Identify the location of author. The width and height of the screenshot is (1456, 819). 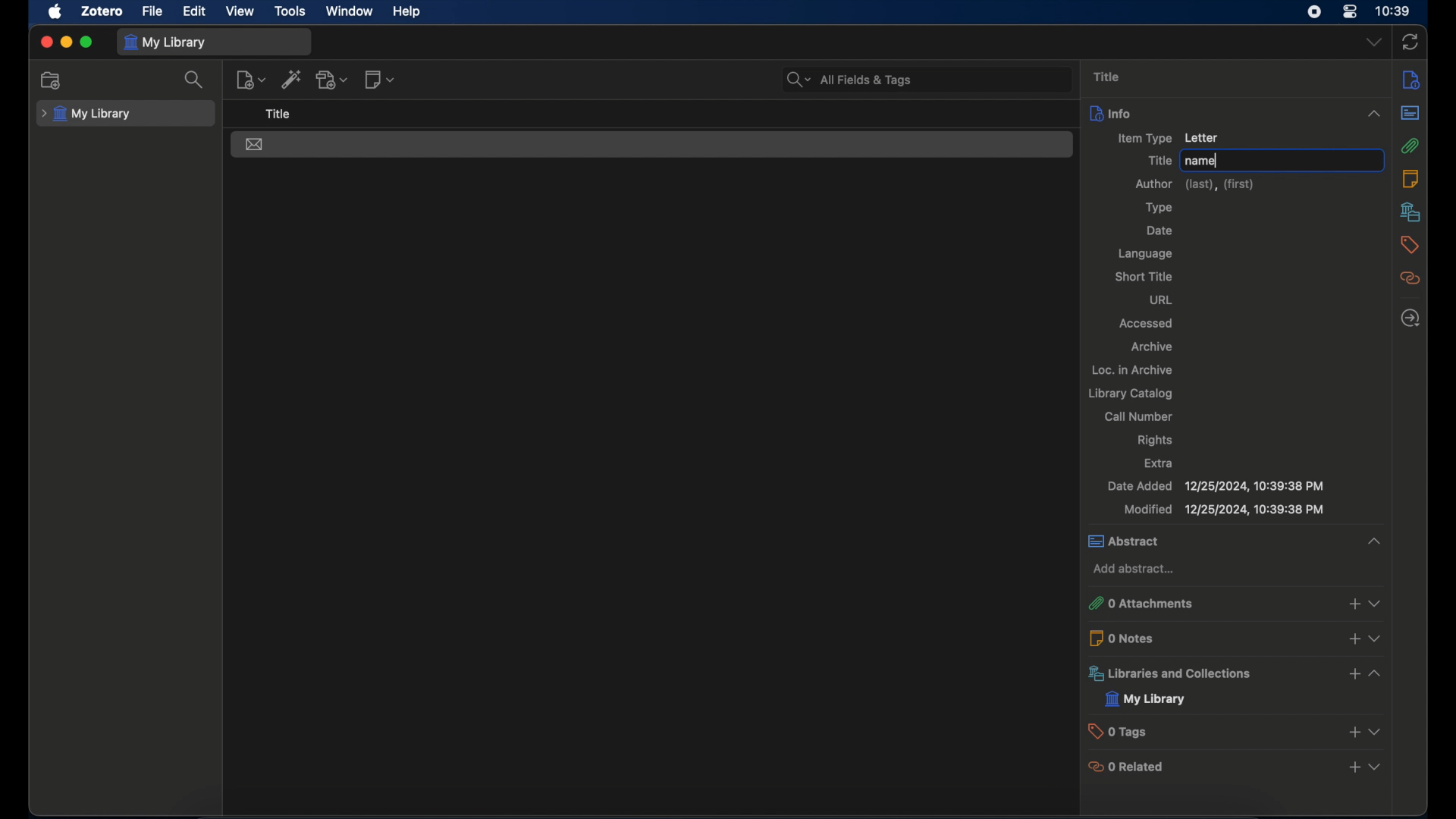
(1194, 184).